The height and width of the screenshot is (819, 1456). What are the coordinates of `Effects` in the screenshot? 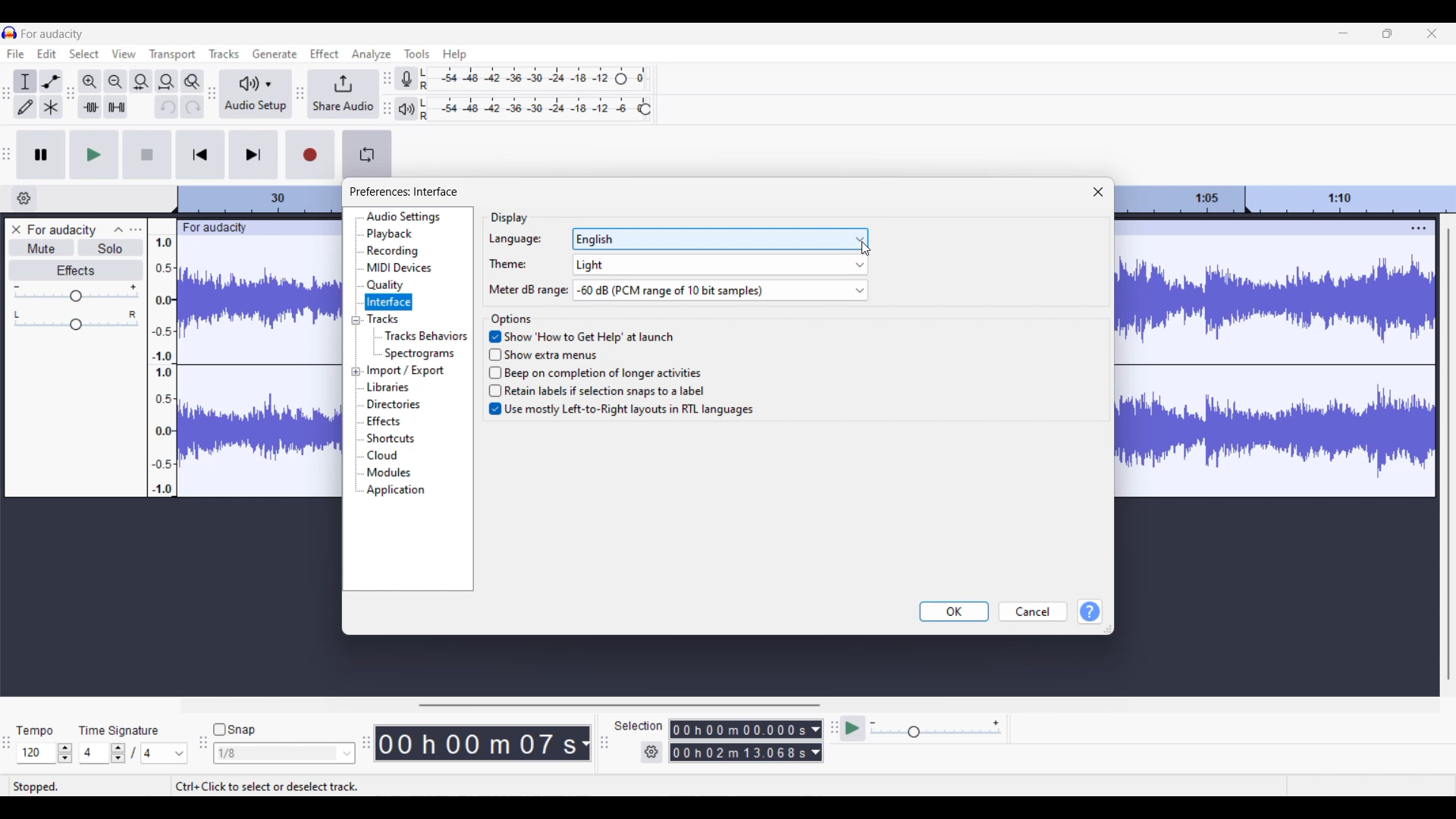 It's located at (77, 271).